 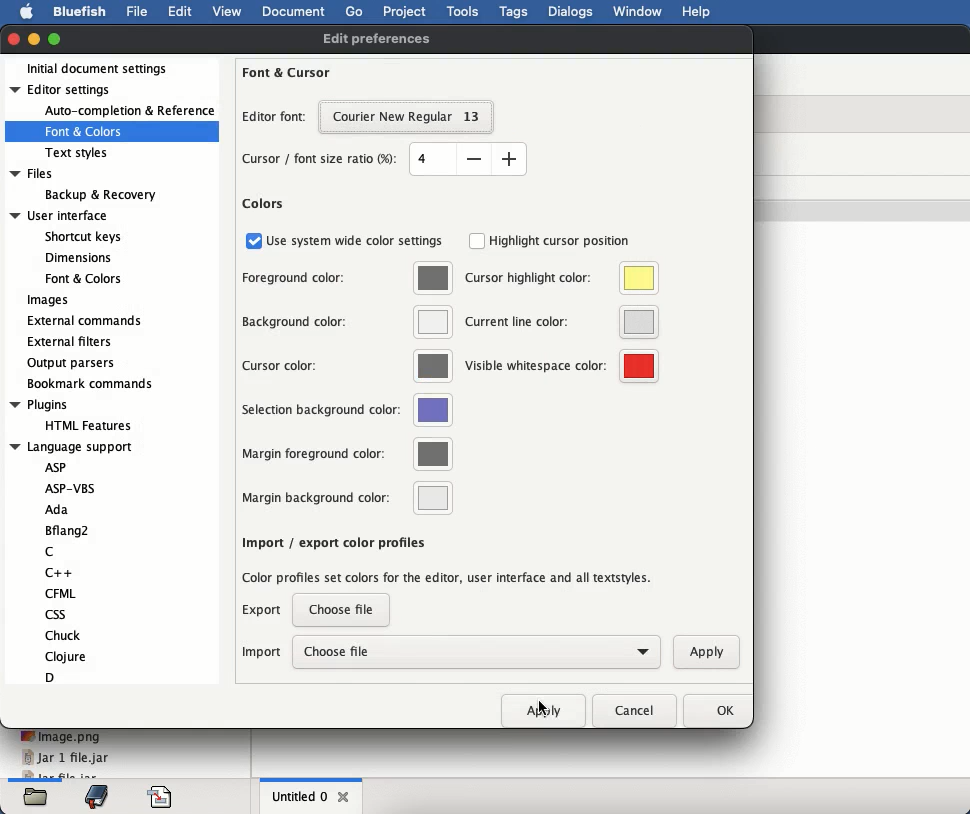 What do you see at coordinates (84, 563) in the screenshot?
I see `language support` at bounding box center [84, 563].